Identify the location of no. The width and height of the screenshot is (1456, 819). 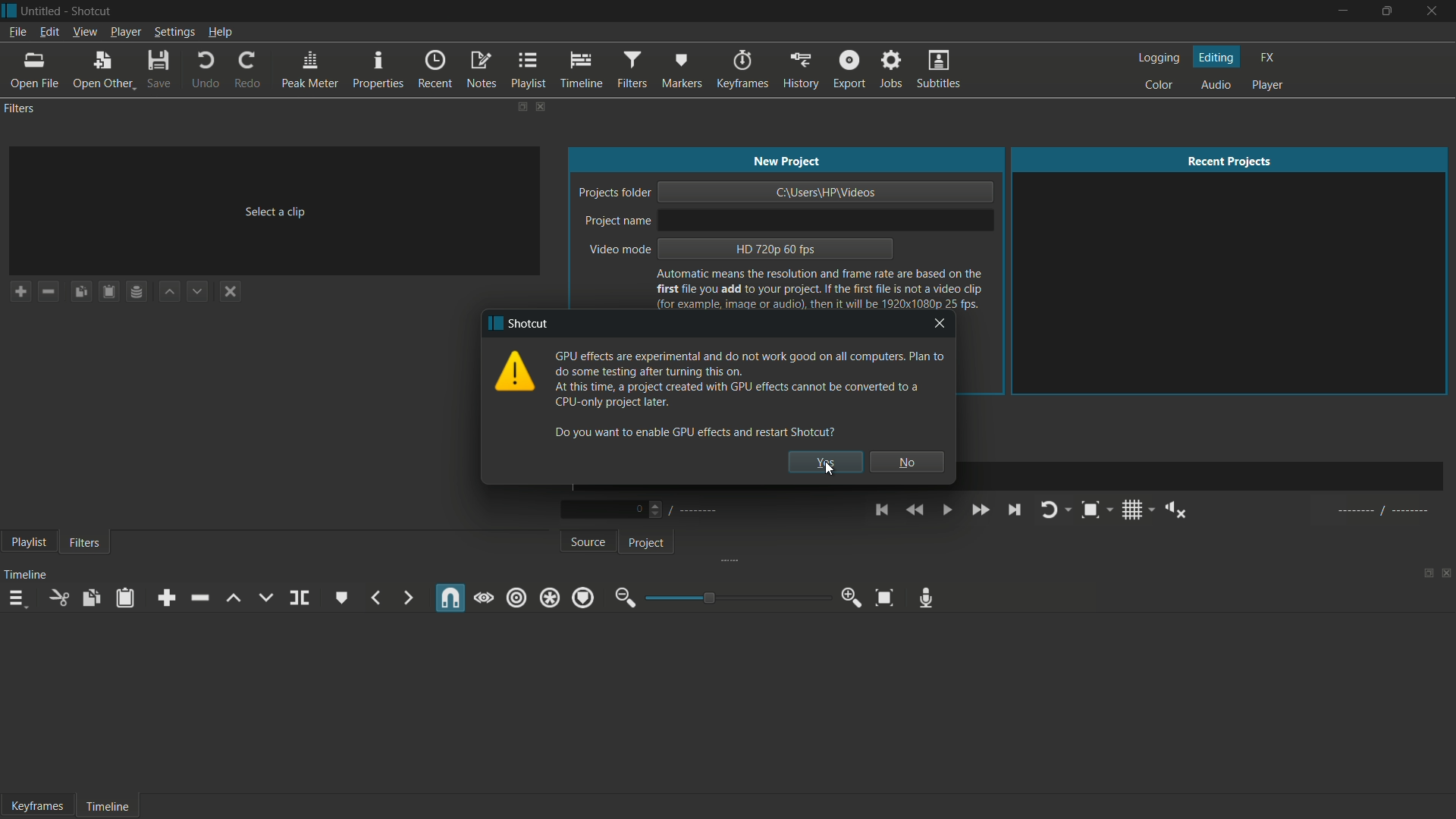
(906, 462).